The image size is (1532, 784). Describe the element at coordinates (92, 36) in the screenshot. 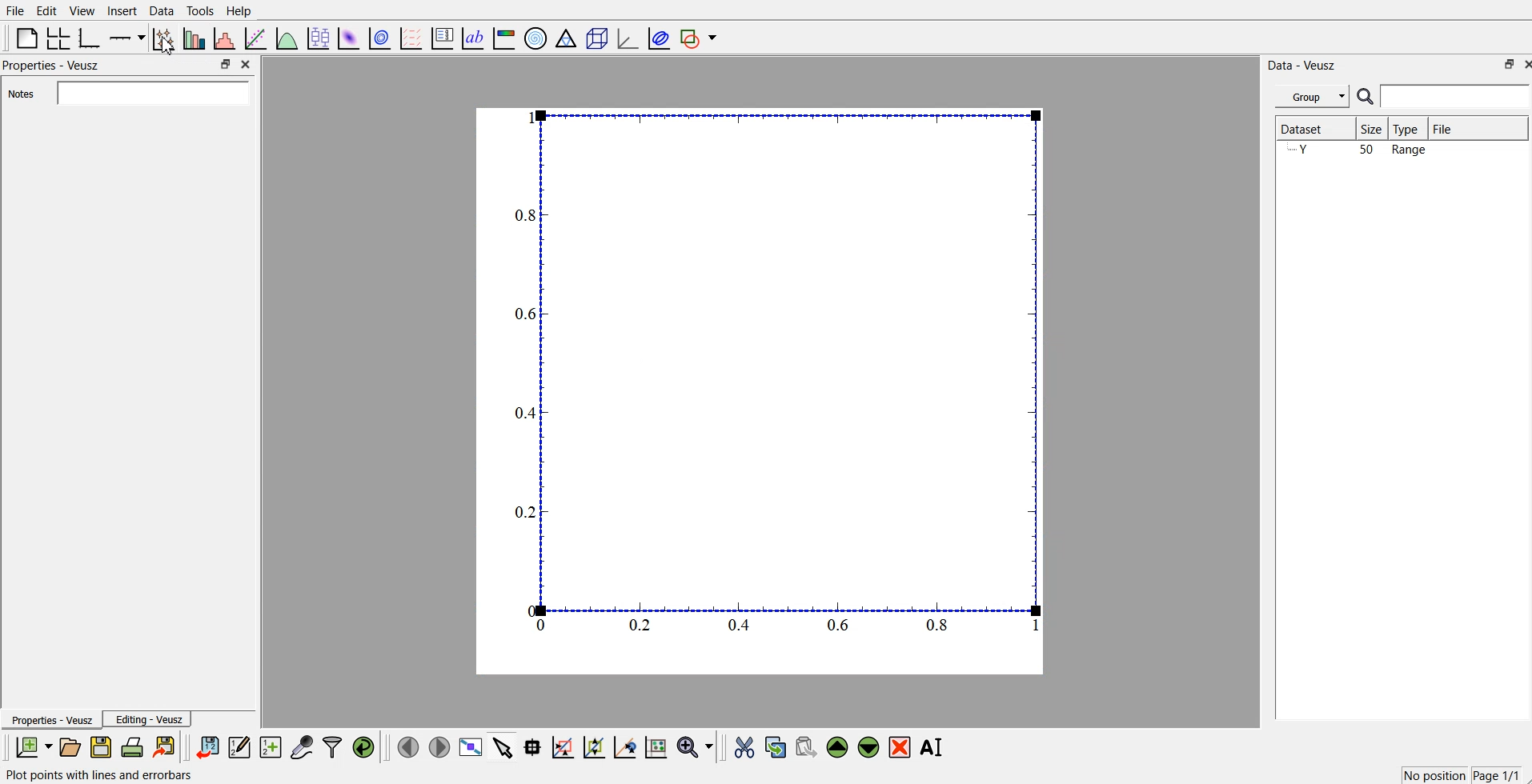

I see `base graphs` at that location.